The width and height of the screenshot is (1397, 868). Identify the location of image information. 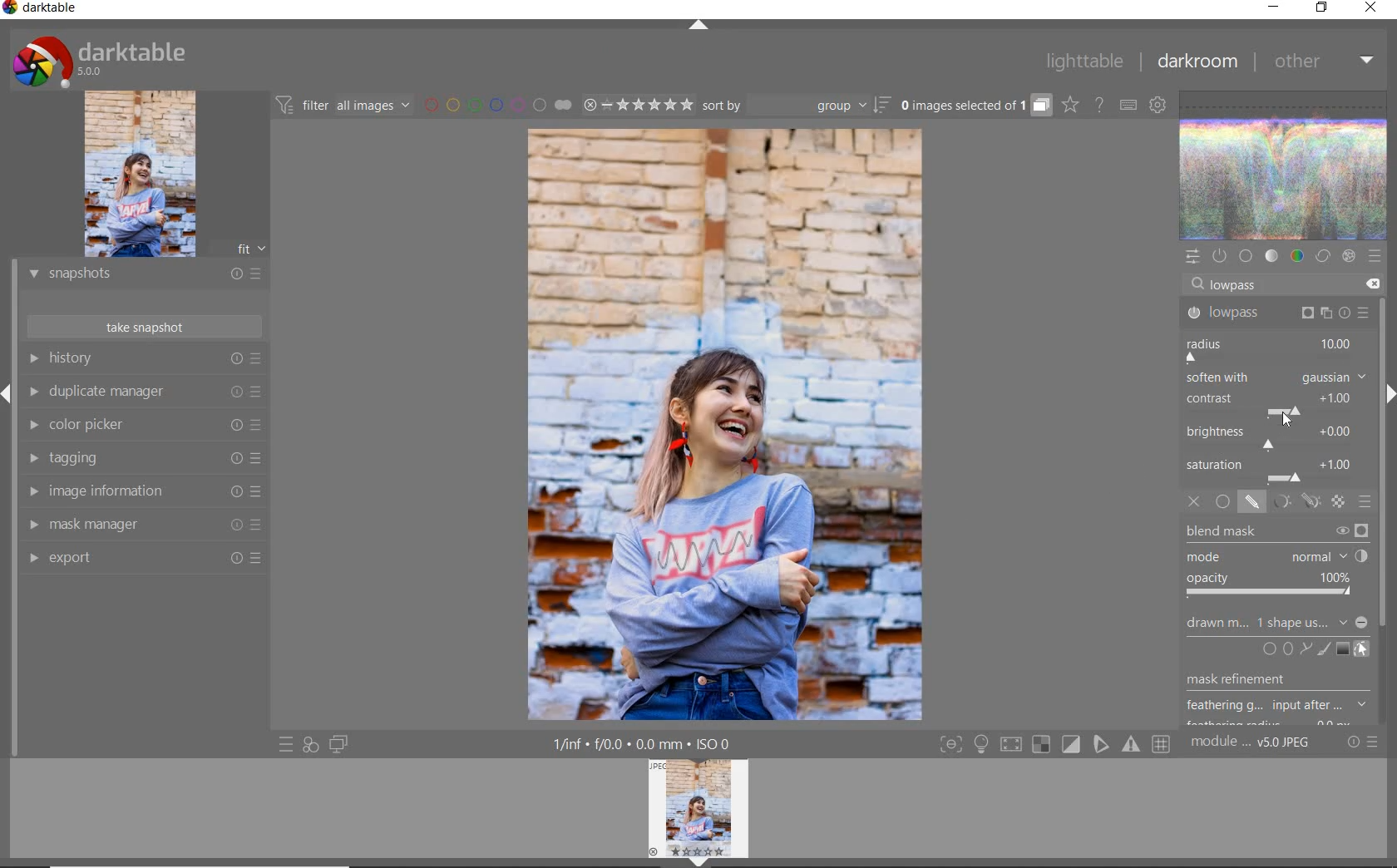
(142, 494).